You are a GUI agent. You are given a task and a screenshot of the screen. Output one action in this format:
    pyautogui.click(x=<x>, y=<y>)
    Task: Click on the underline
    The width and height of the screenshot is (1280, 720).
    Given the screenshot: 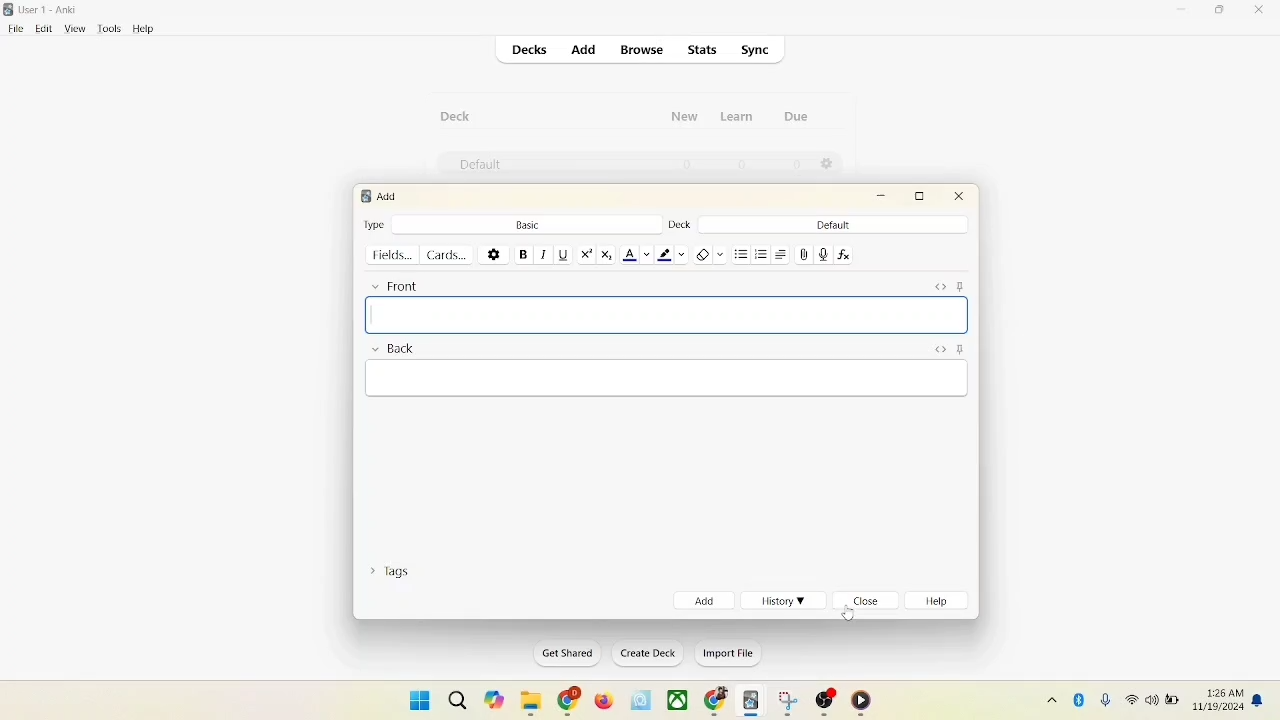 What is the action you would take?
    pyautogui.click(x=562, y=254)
    